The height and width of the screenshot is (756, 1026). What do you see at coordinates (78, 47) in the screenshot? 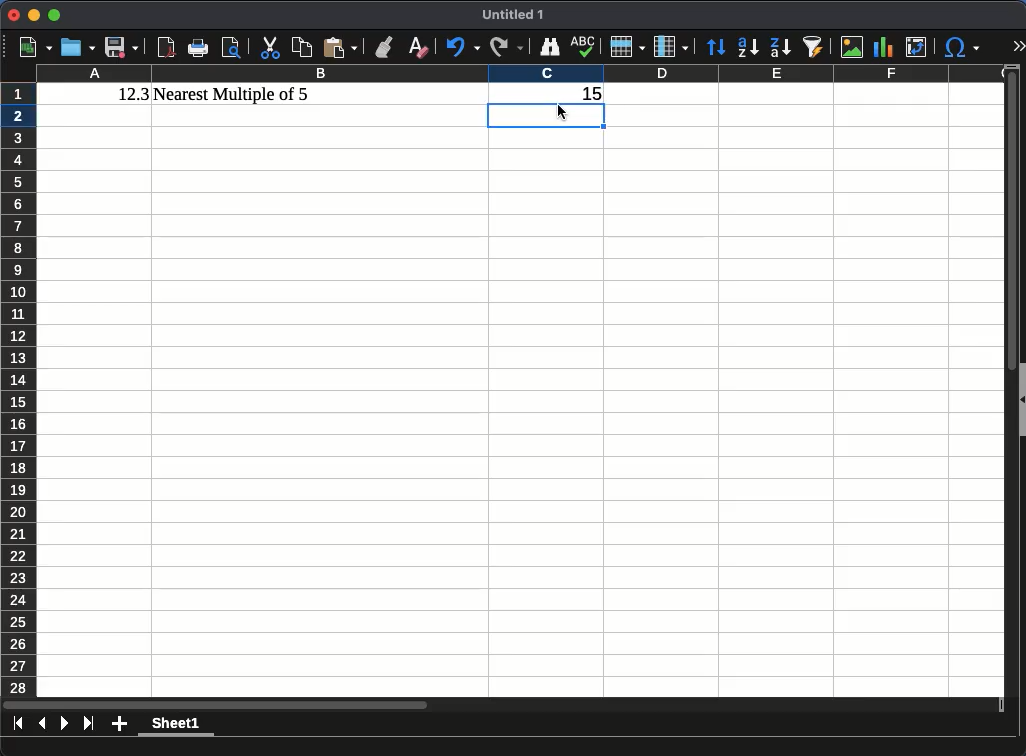
I see `open` at bounding box center [78, 47].